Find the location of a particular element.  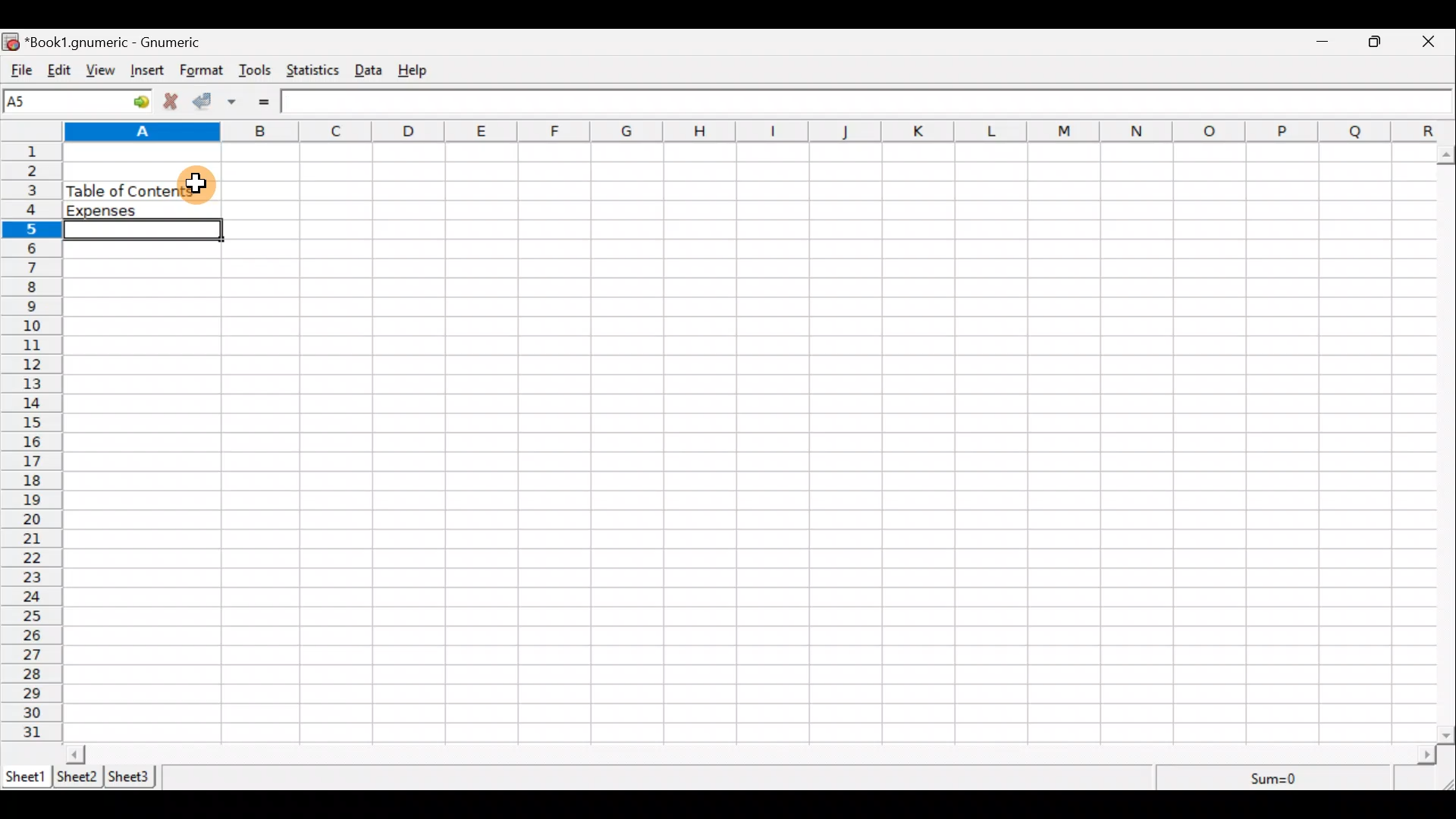

Table of content is located at coordinates (130, 190).